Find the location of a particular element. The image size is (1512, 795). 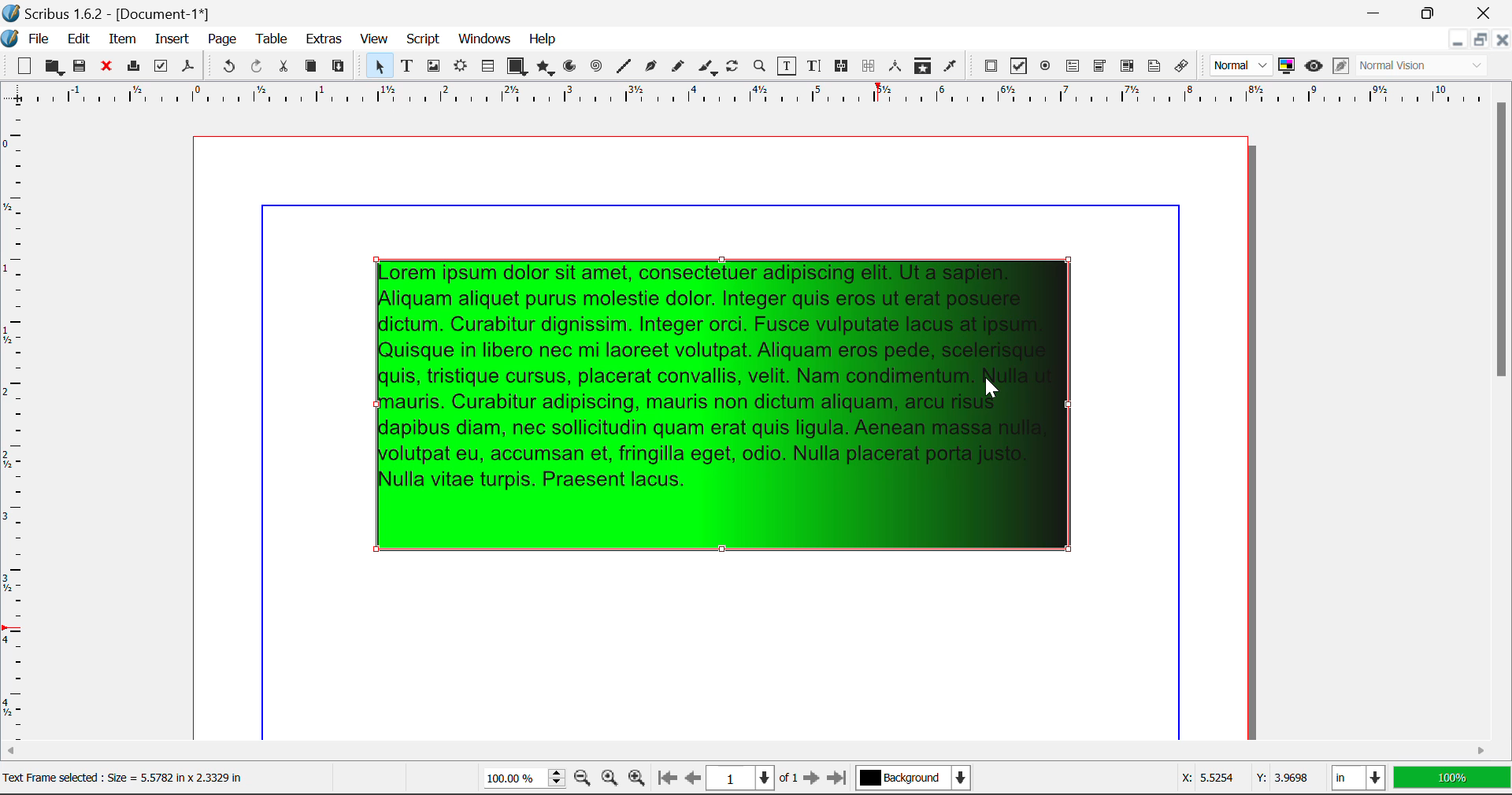

Edit is located at coordinates (79, 39).